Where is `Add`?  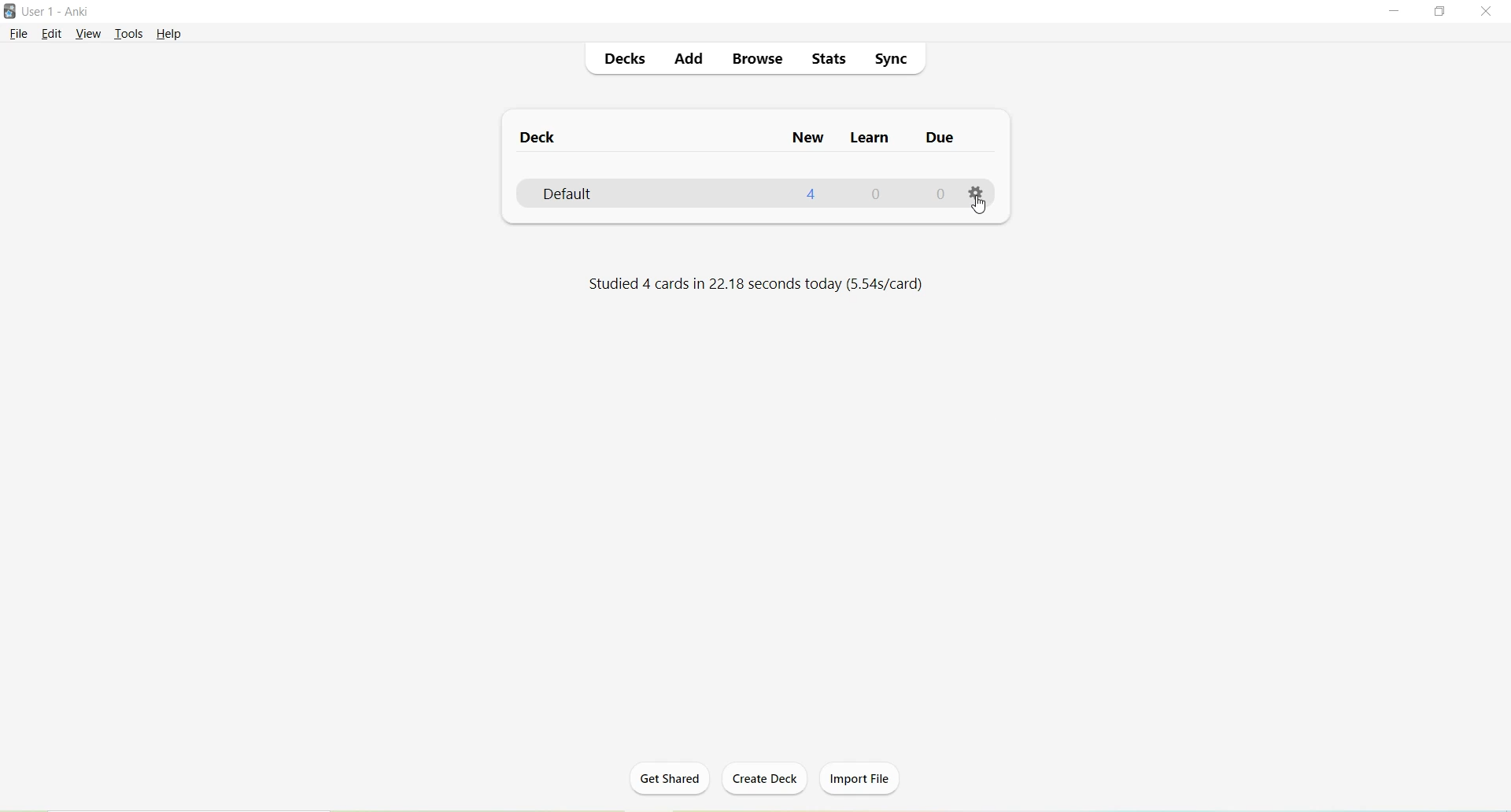
Add is located at coordinates (690, 59).